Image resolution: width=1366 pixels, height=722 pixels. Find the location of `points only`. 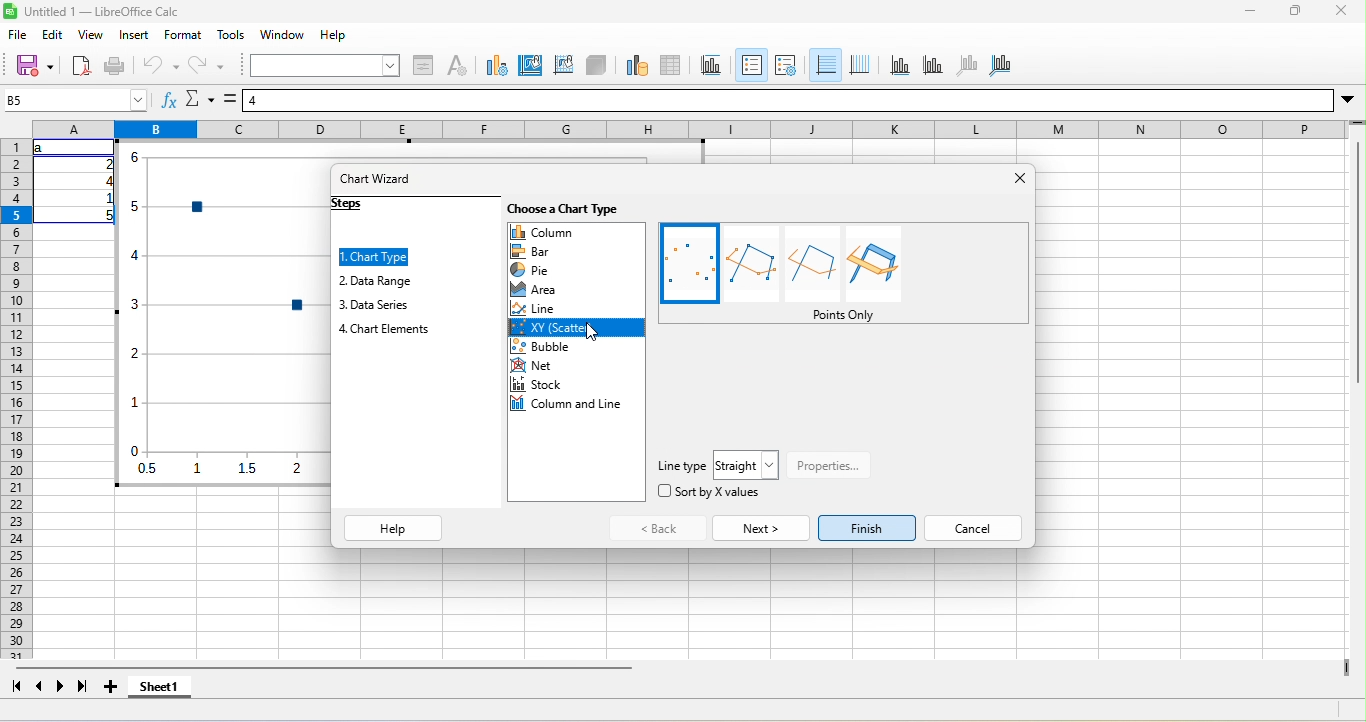

points only is located at coordinates (844, 315).